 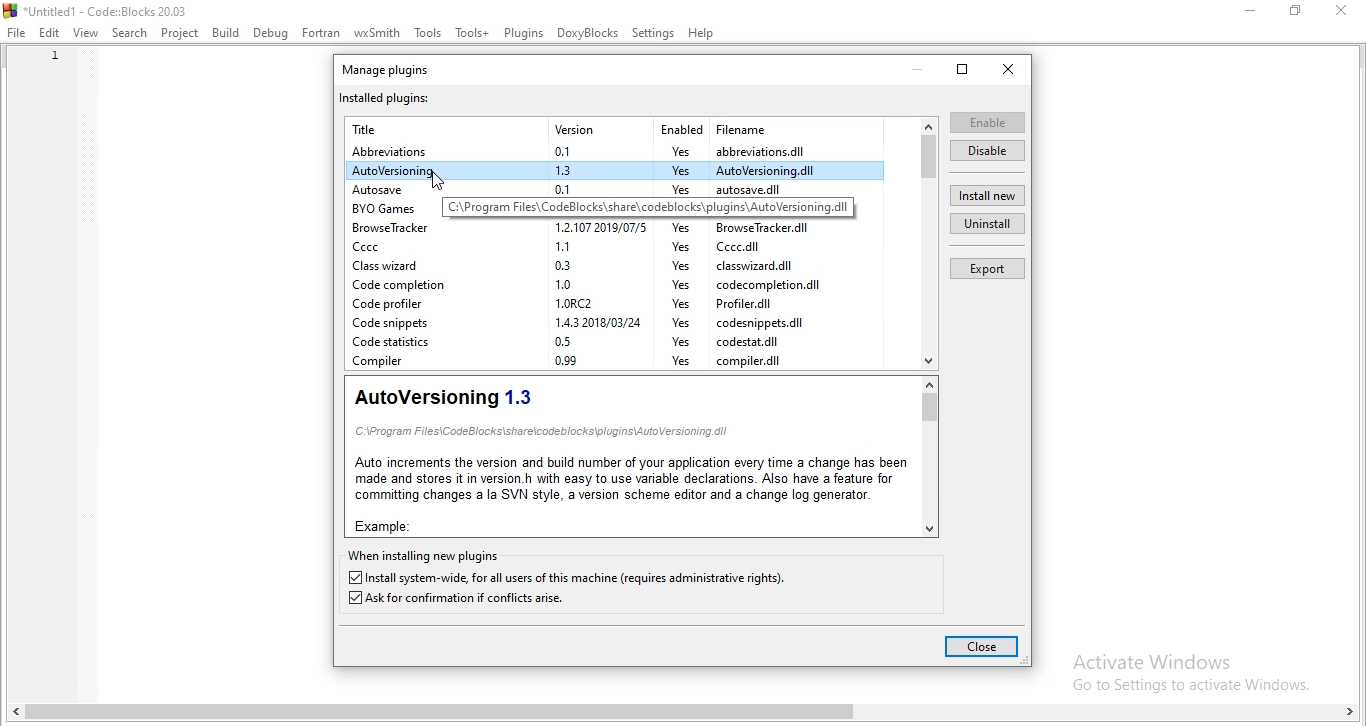 What do you see at coordinates (588, 32) in the screenshot?
I see `DoxyBlocks` at bounding box center [588, 32].